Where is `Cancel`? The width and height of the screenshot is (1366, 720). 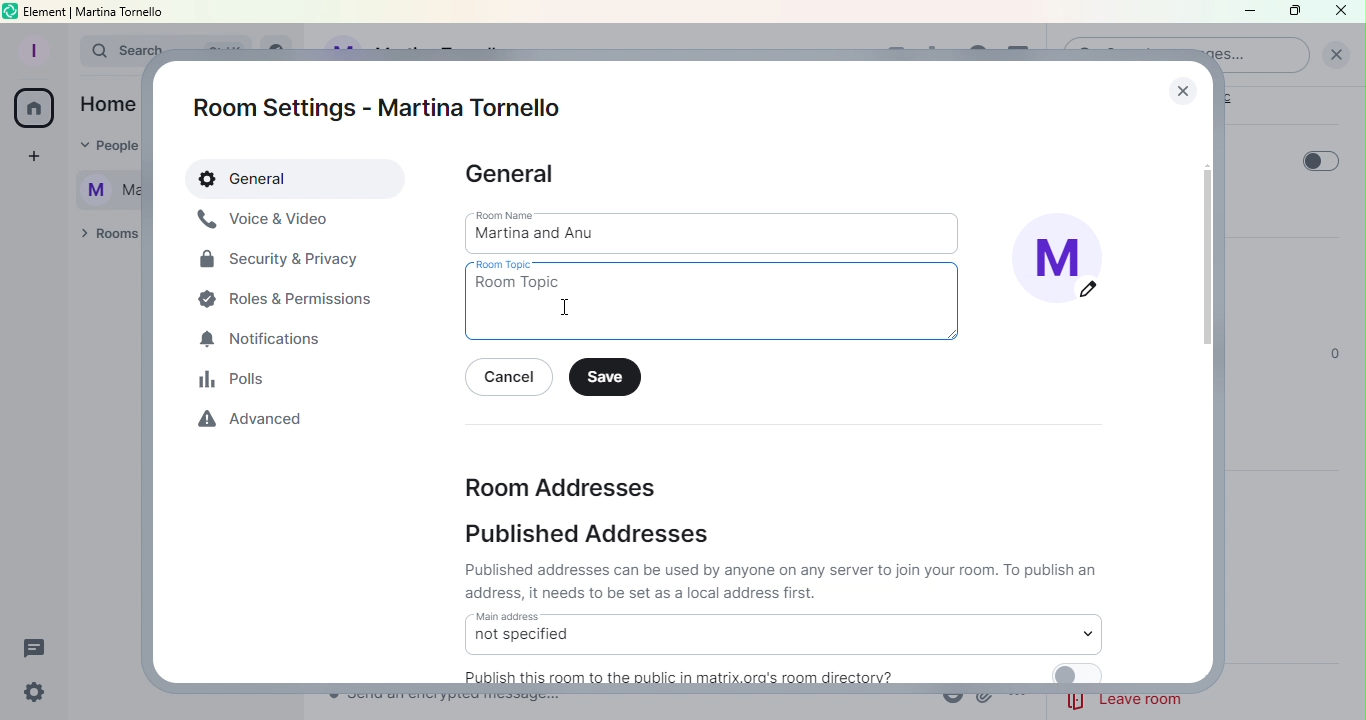 Cancel is located at coordinates (513, 379).